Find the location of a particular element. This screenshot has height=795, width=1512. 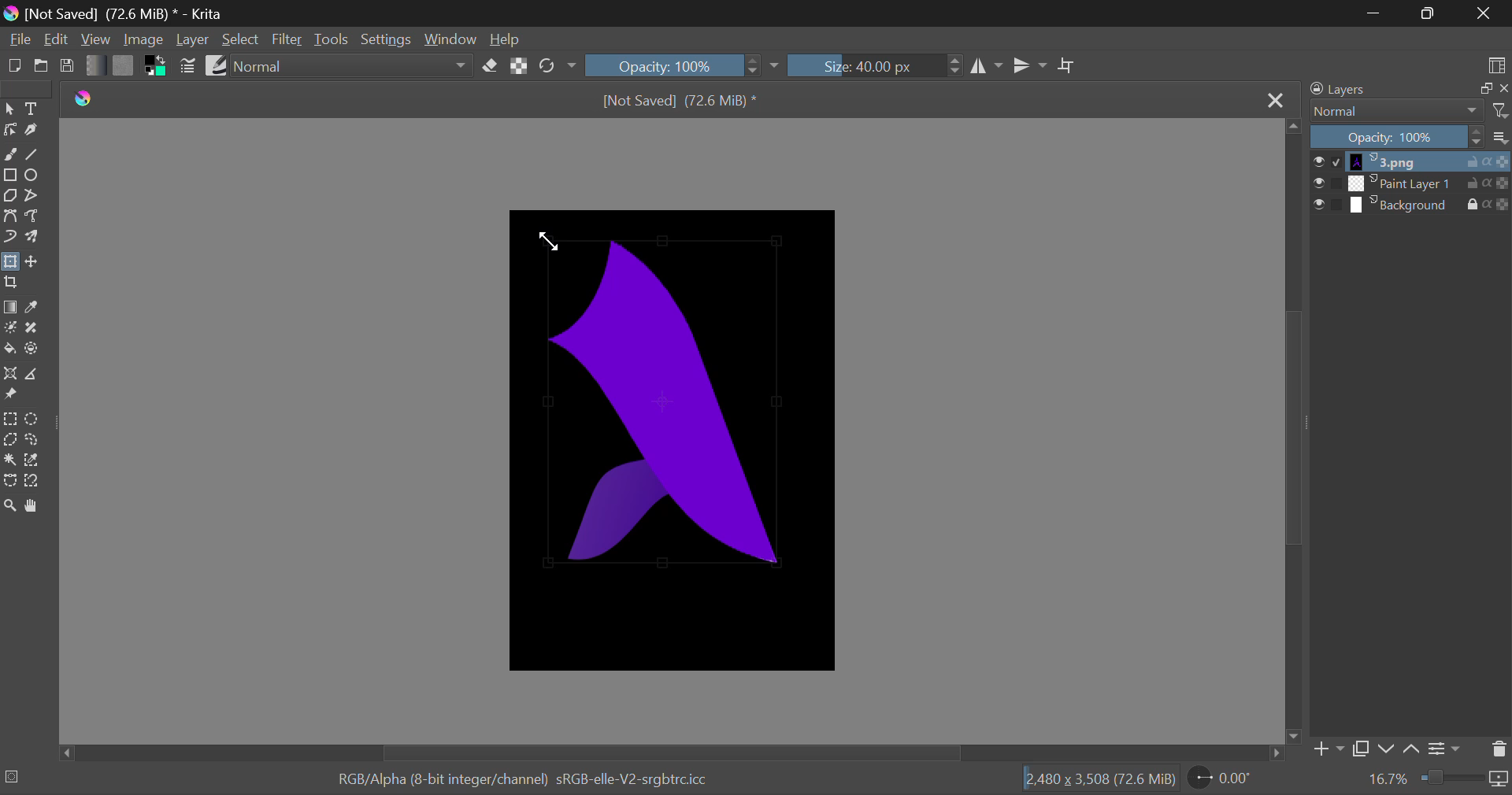

checkbox is located at coordinates (1325, 205).